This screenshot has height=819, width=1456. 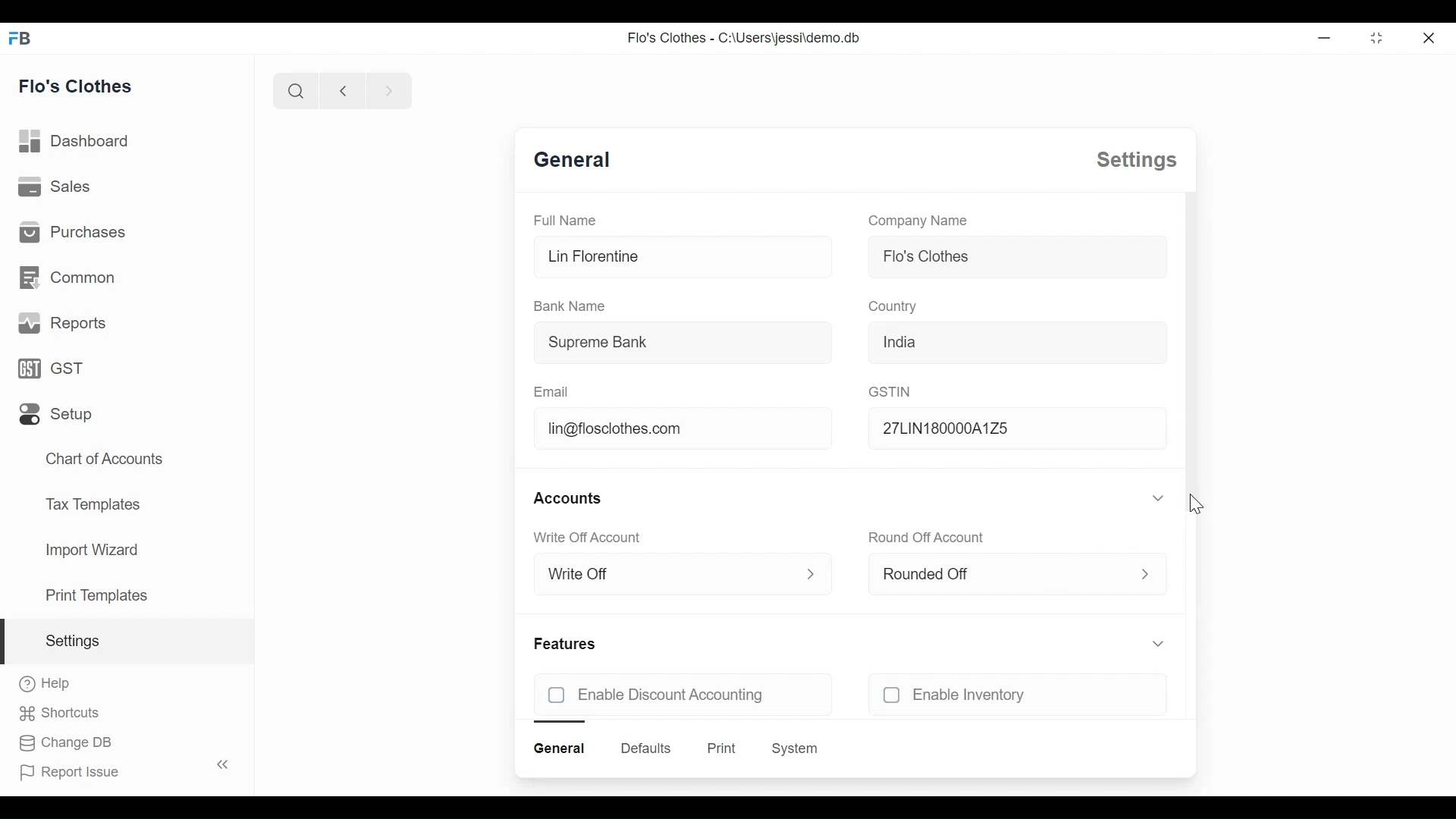 I want to click on Flo's Clothes - C:\Users\jessi\demo.db, so click(x=742, y=38).